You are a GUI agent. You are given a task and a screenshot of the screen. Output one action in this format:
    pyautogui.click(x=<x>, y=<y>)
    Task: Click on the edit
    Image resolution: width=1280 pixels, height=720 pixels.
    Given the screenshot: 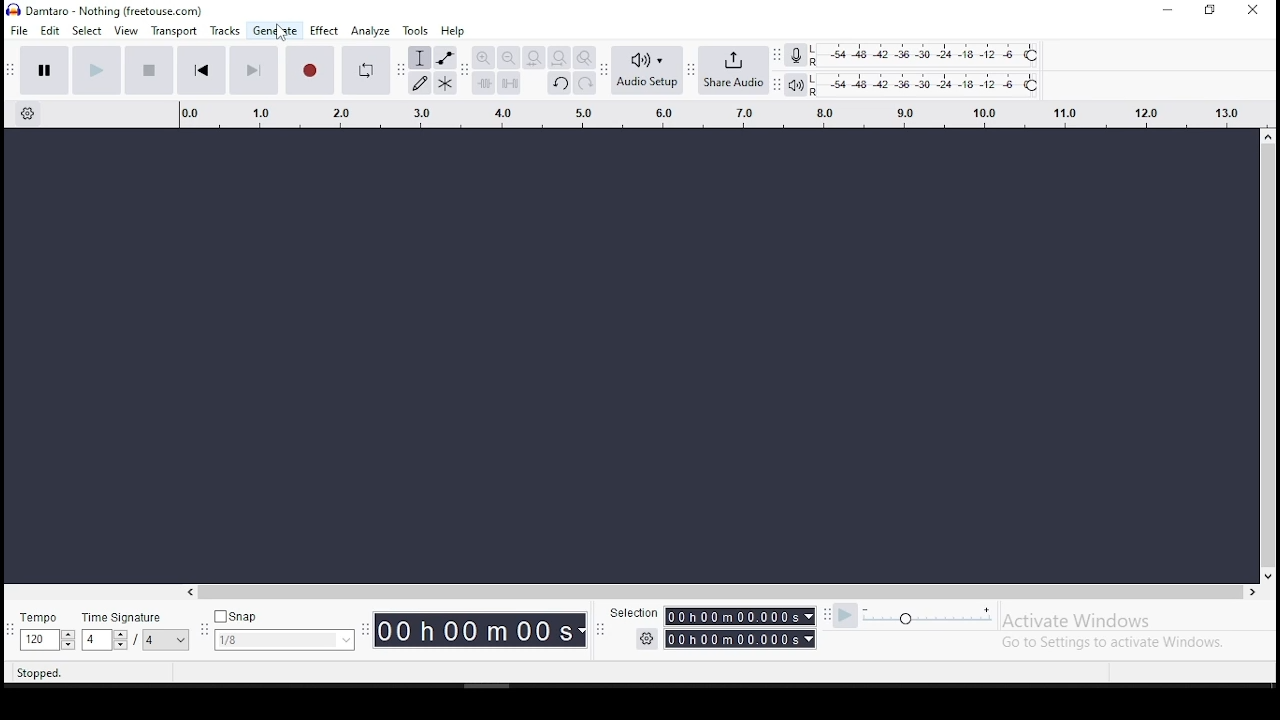 What is the action you would take?
    pyautogui.click(x=51, y=30)
    